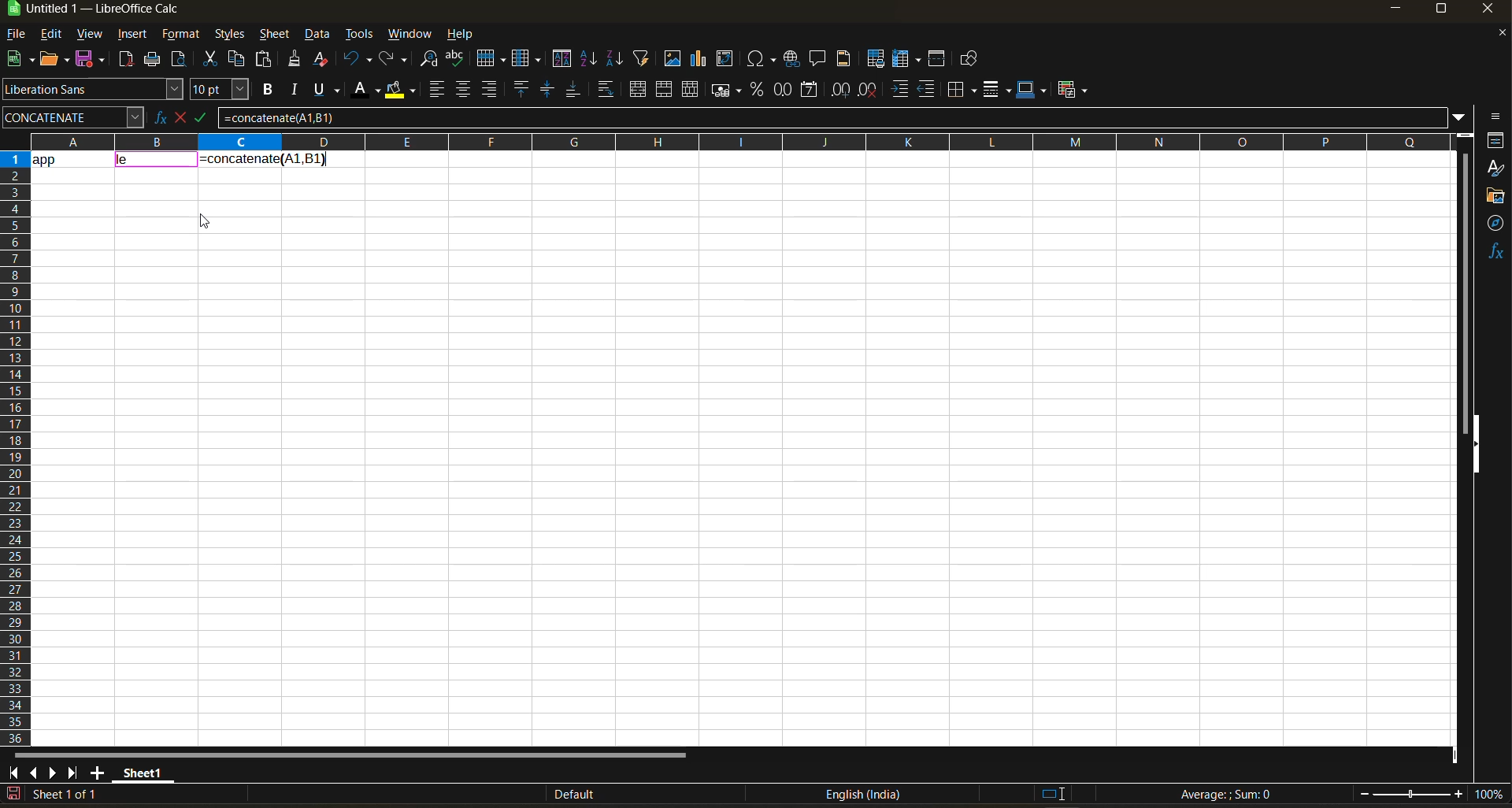  What do you see at coordinates (1492, 795) in the screenshot?
I see `zoom factor` at bounding box center [1492, 795].